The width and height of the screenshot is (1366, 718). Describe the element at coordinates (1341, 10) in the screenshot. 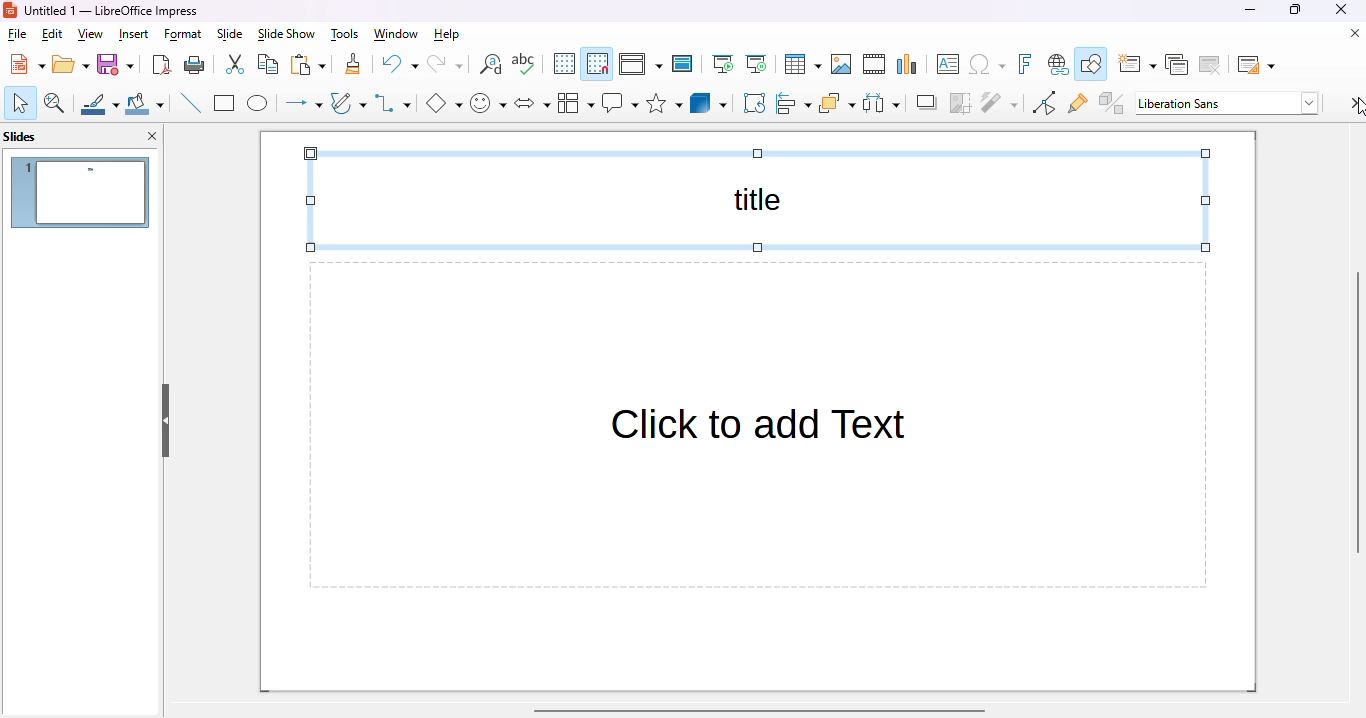

I see `close` at that location.